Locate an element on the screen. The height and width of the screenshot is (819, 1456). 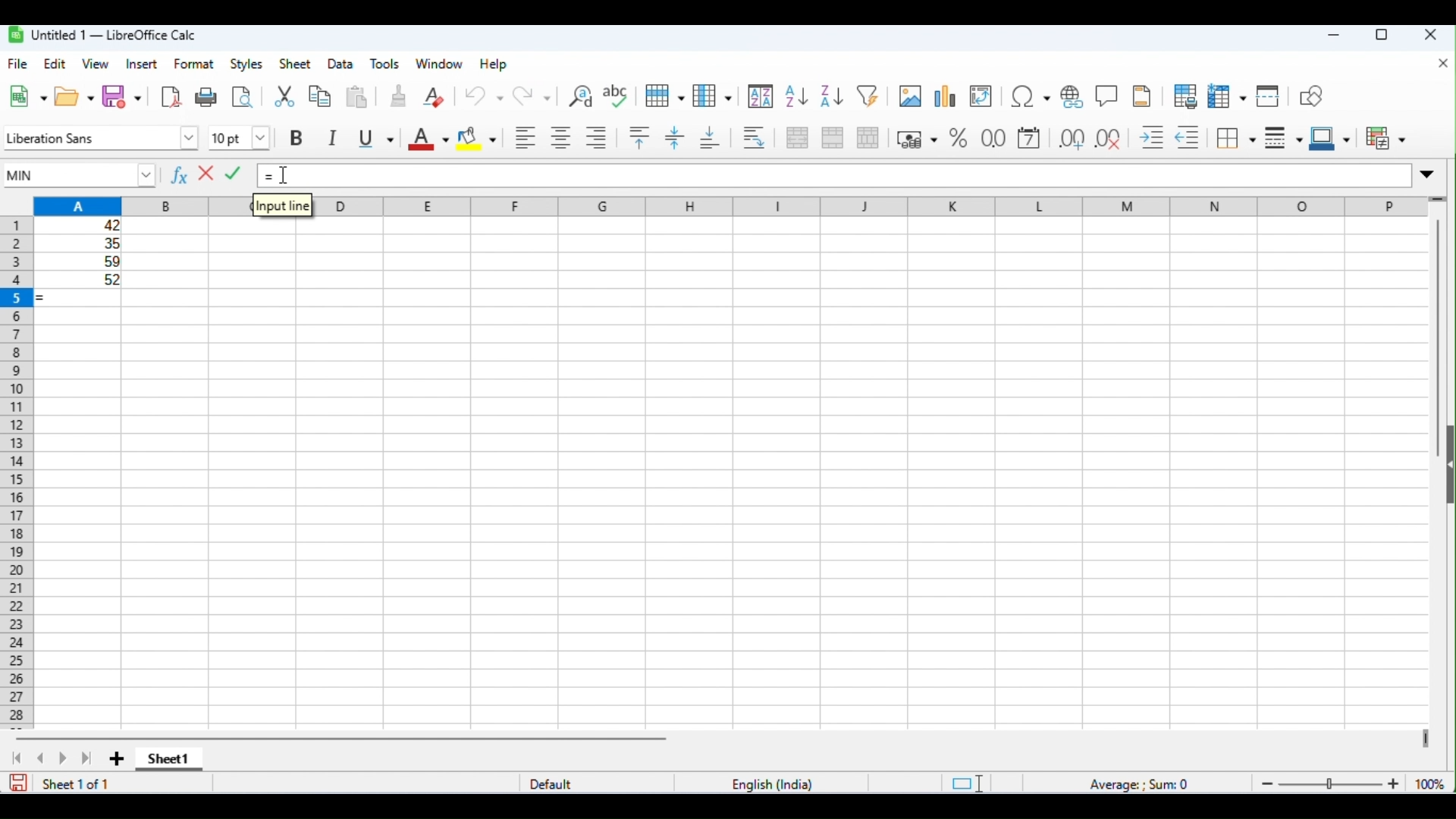
decrease indent is located at coordinates (1188, 137).